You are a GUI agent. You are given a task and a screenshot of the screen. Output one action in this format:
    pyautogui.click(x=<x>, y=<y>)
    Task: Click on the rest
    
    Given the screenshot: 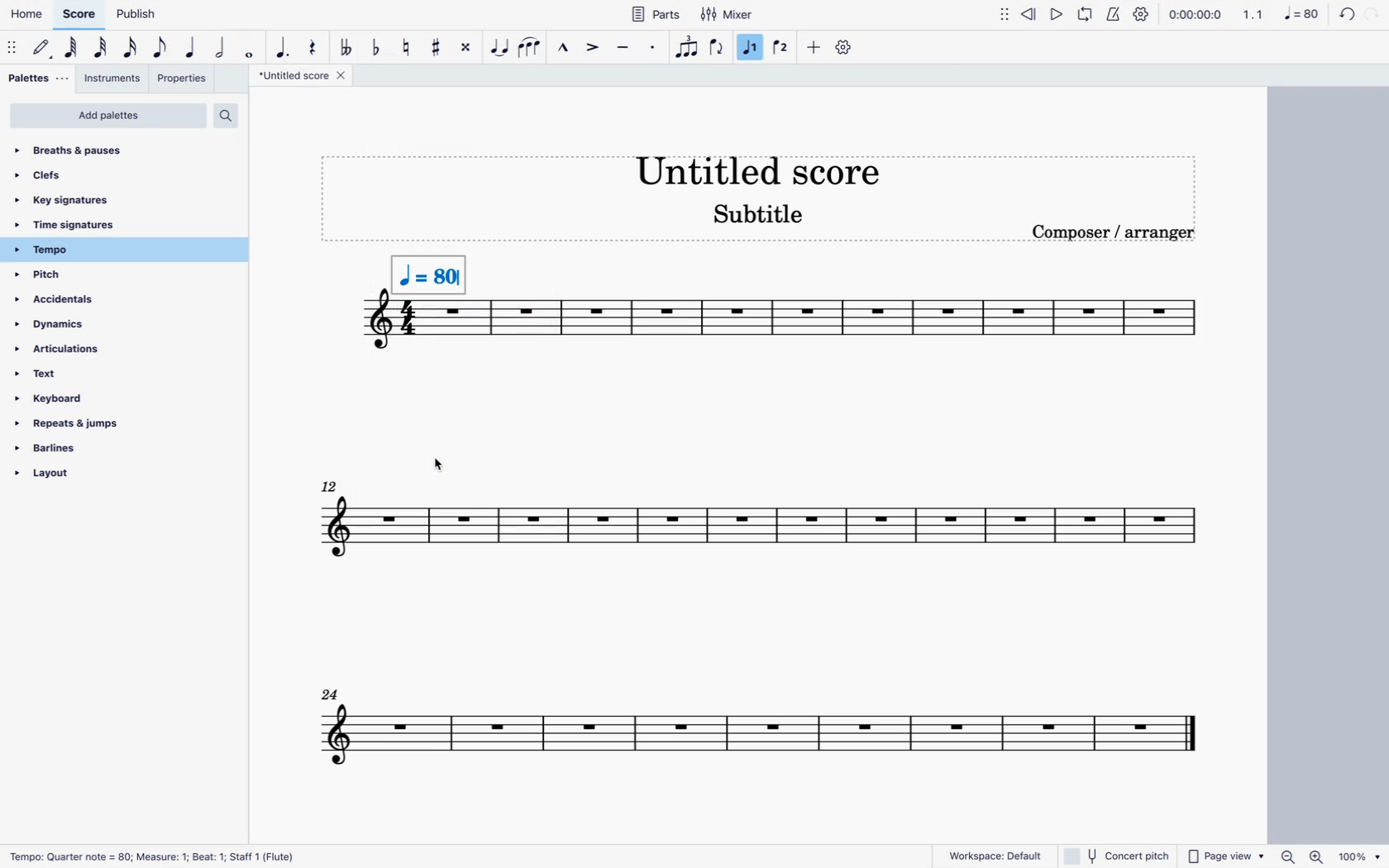 What is the action you would take?
    pyautogui.click(x=316, y=49)
    